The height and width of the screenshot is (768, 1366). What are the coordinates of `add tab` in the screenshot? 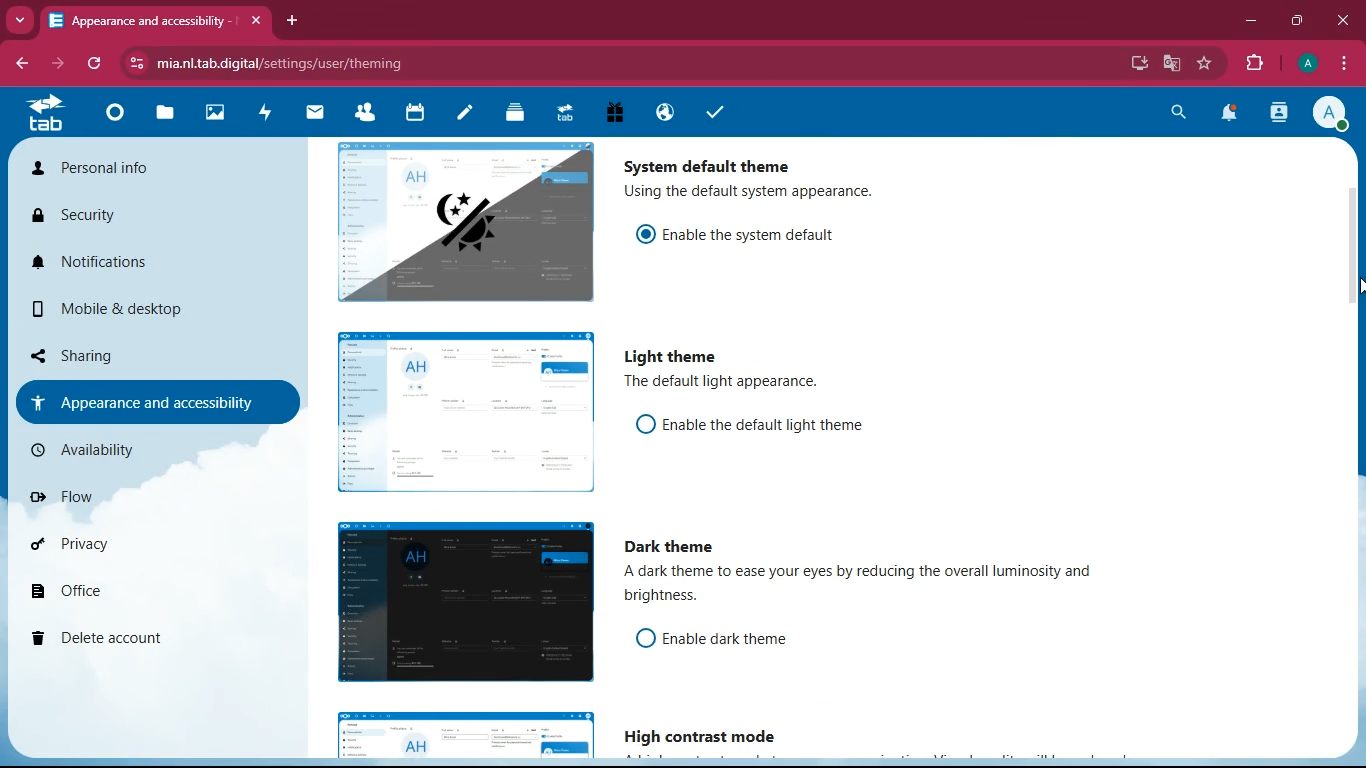 It's located at (294, 21).